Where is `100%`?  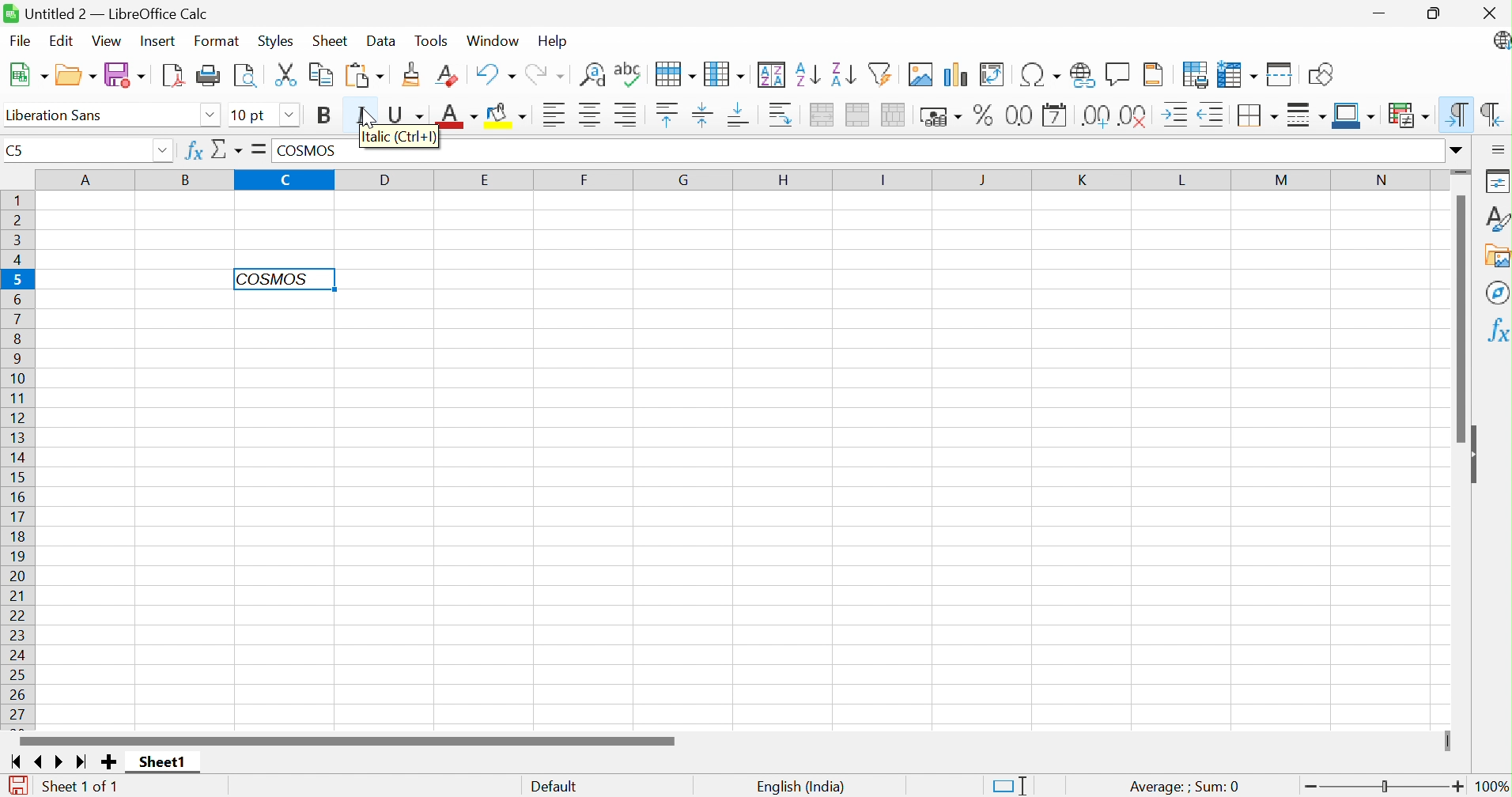 100% is located at coordinates (1492, 787).